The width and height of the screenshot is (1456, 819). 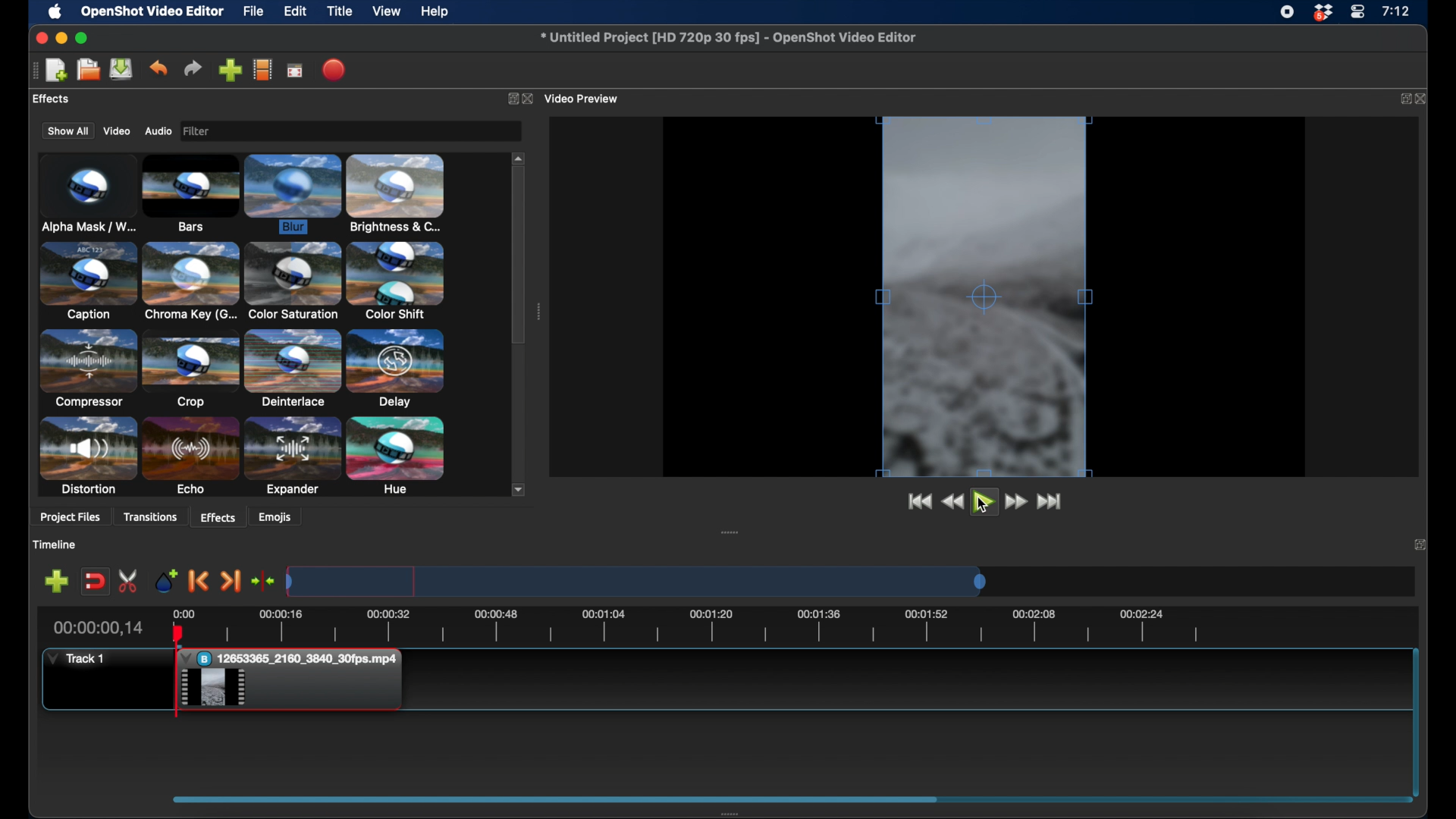 I want to click on show all, so click(x=67, y=130).